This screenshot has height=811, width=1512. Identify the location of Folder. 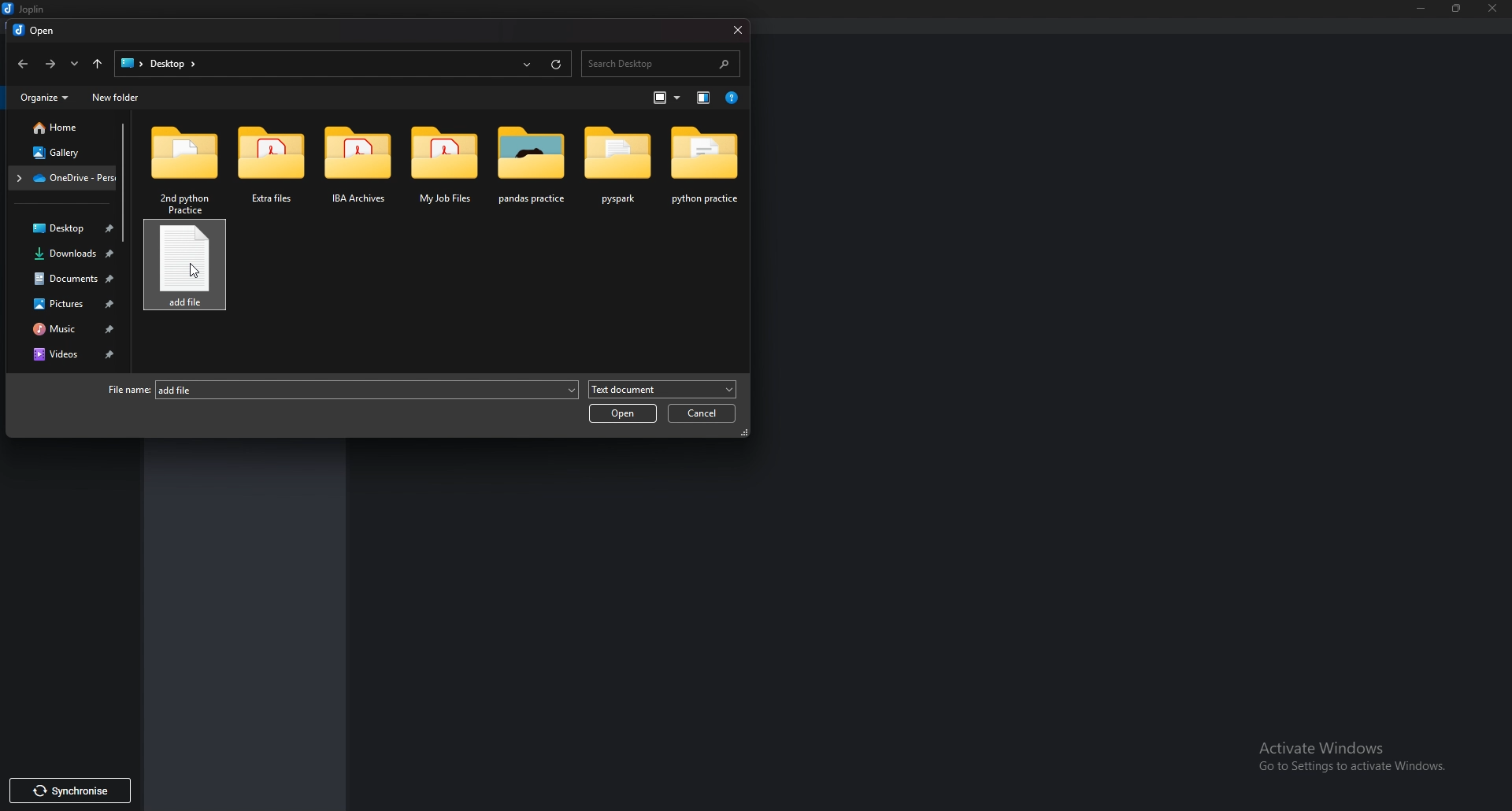
(443, 164).